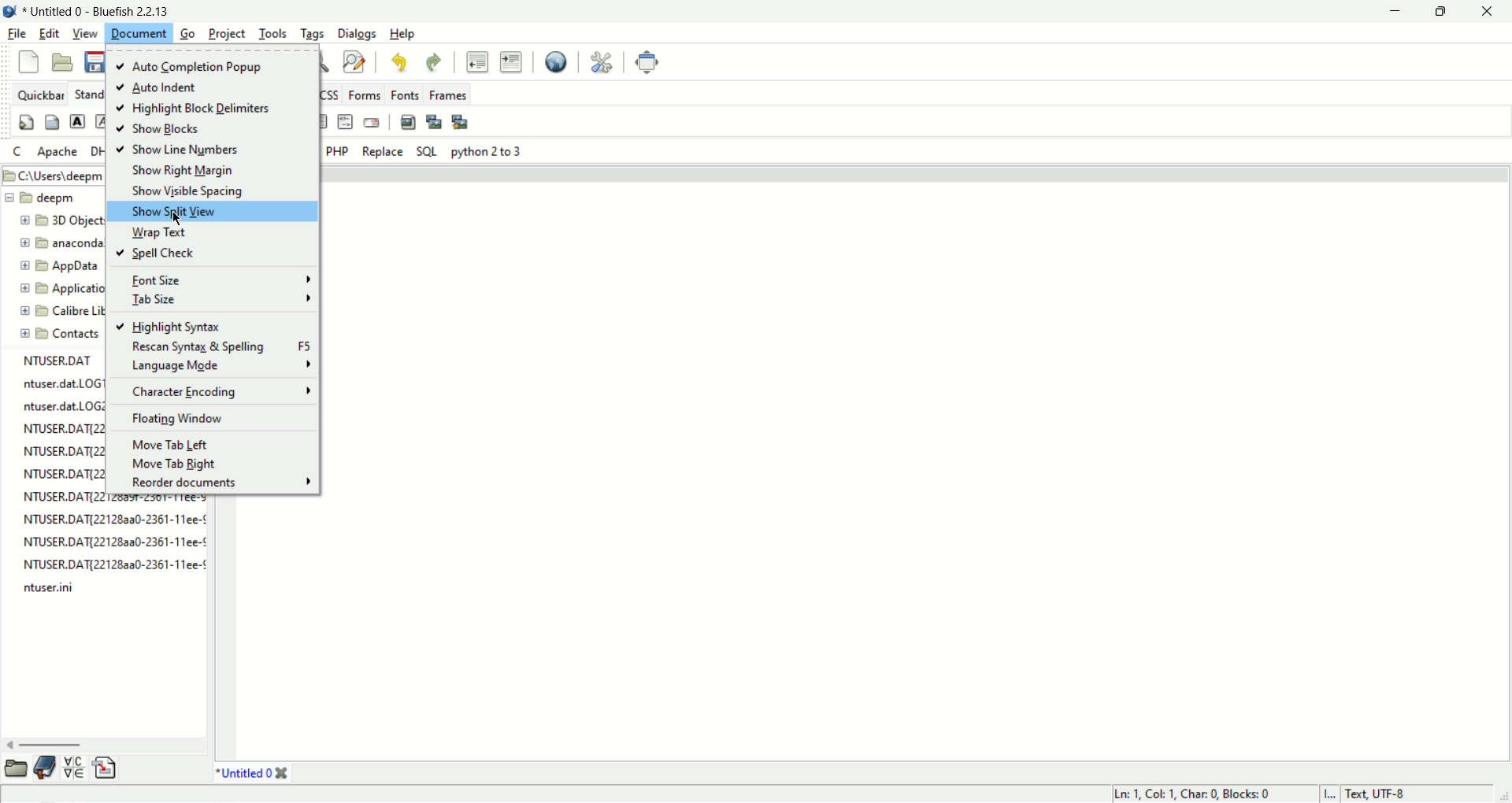 The width and height of the screenshot is (1512, 803). What do you see at coordinates (46, 587) in the screenshot?
I see `ntuser.ini` at bounding box center [46, 587].